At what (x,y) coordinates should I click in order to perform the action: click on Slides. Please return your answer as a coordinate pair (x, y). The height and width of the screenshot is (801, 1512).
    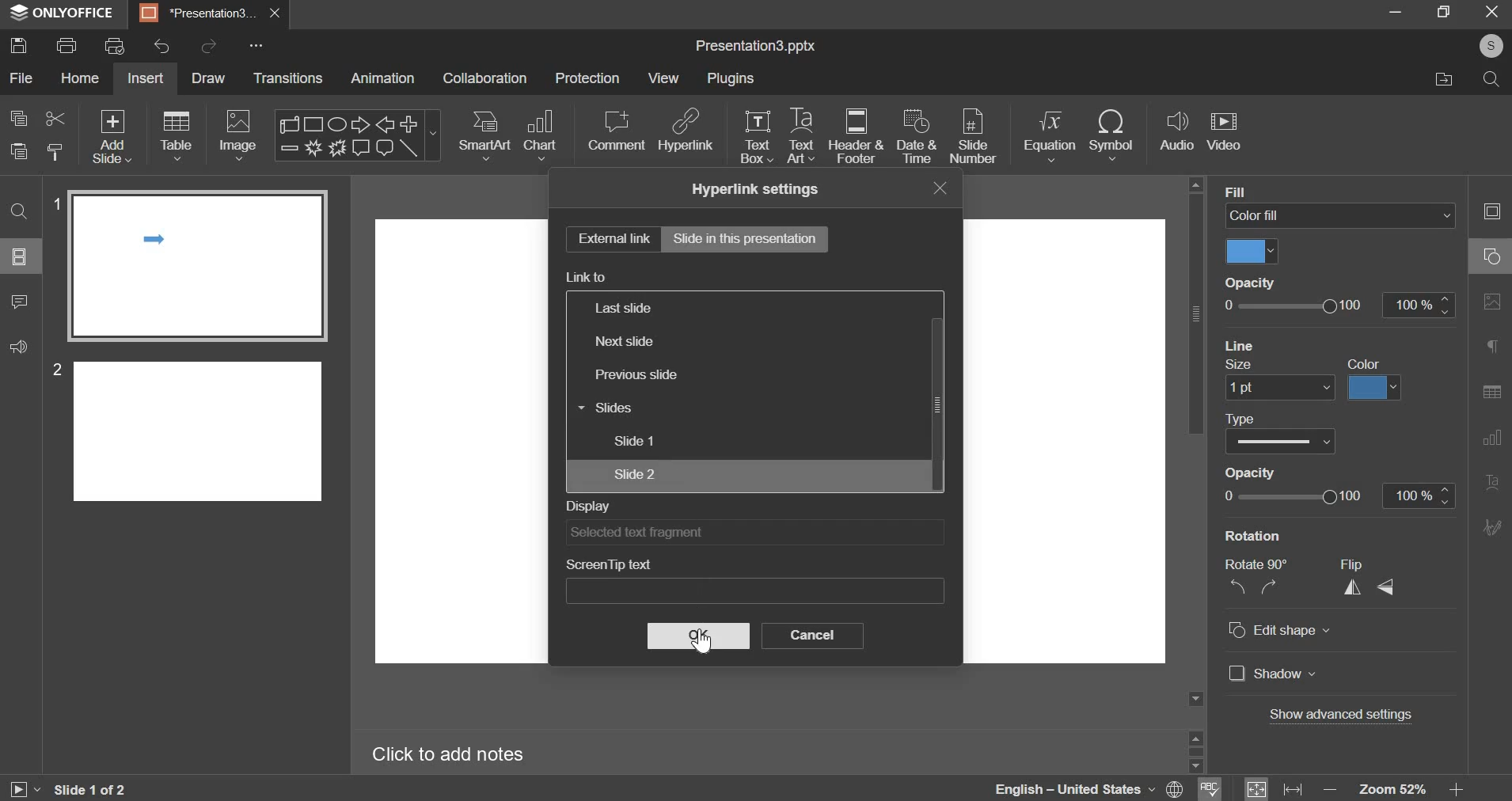
    Looking at the image, I should click on (647, 409).